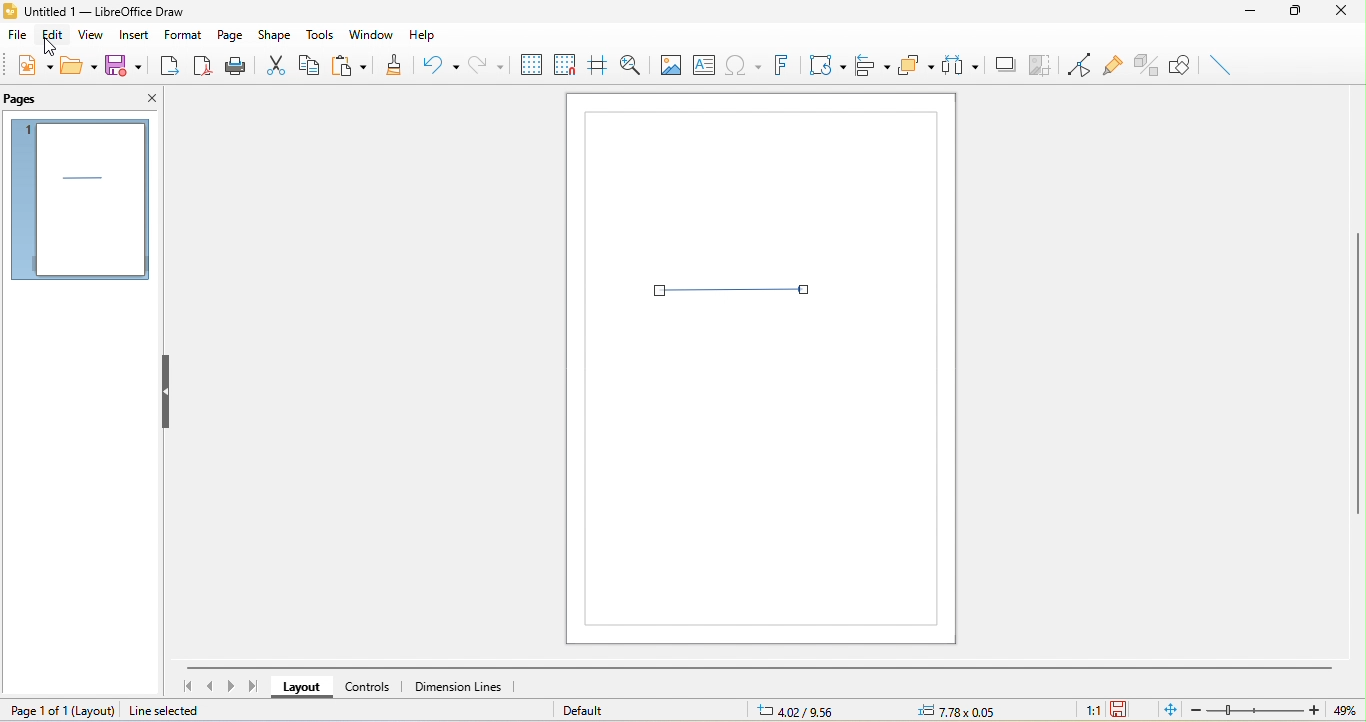  I want to click on undo, so click(441, 67).